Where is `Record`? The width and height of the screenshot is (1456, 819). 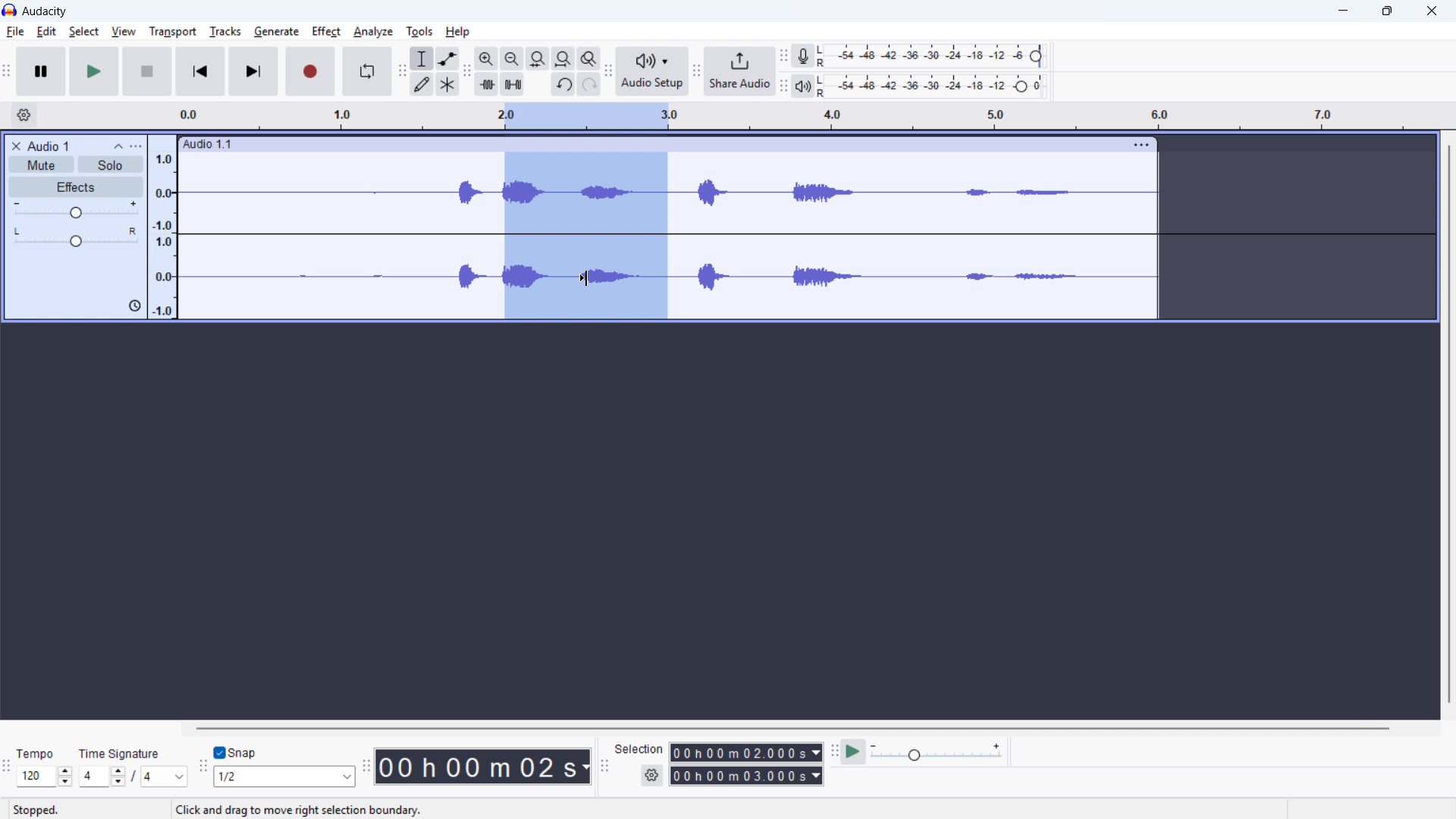 Record is located at coordinates (312, 72).